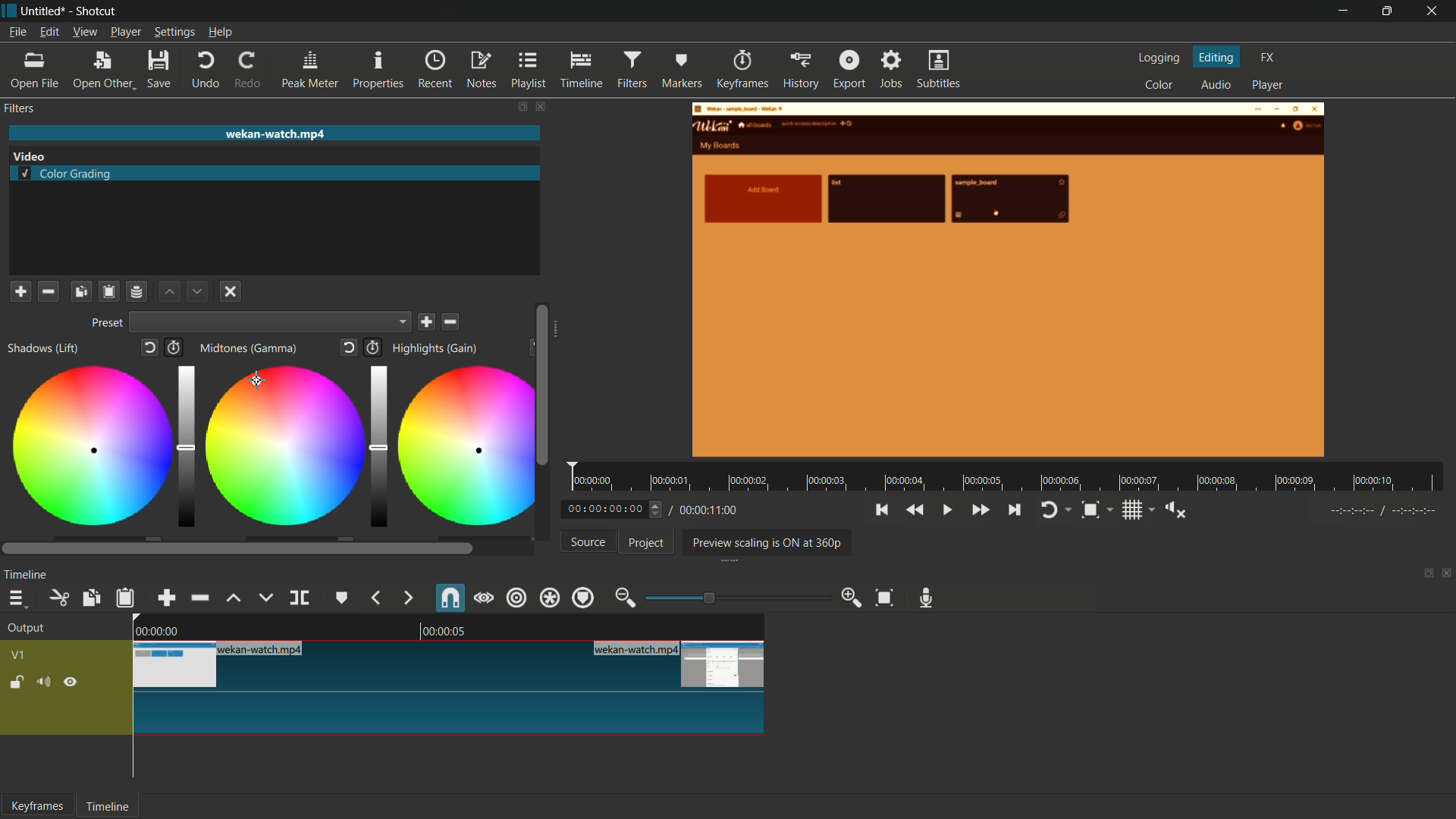  What do you see at coordinates (1435, 11) in the screenshot?
I see `close app` at bounding box center [1435, 11].